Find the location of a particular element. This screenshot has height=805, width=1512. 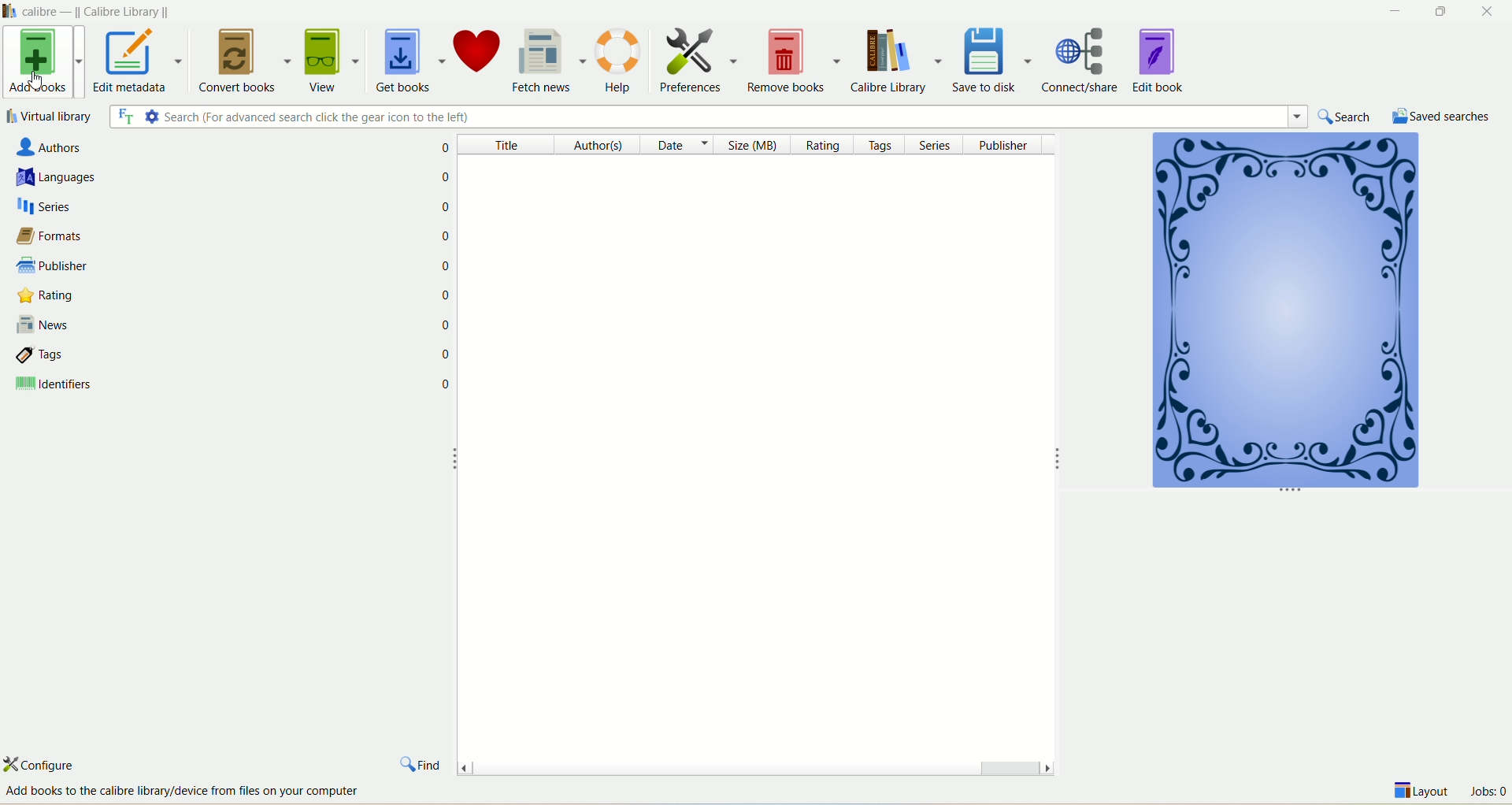

jobs is located at coordinates (1488, 793).